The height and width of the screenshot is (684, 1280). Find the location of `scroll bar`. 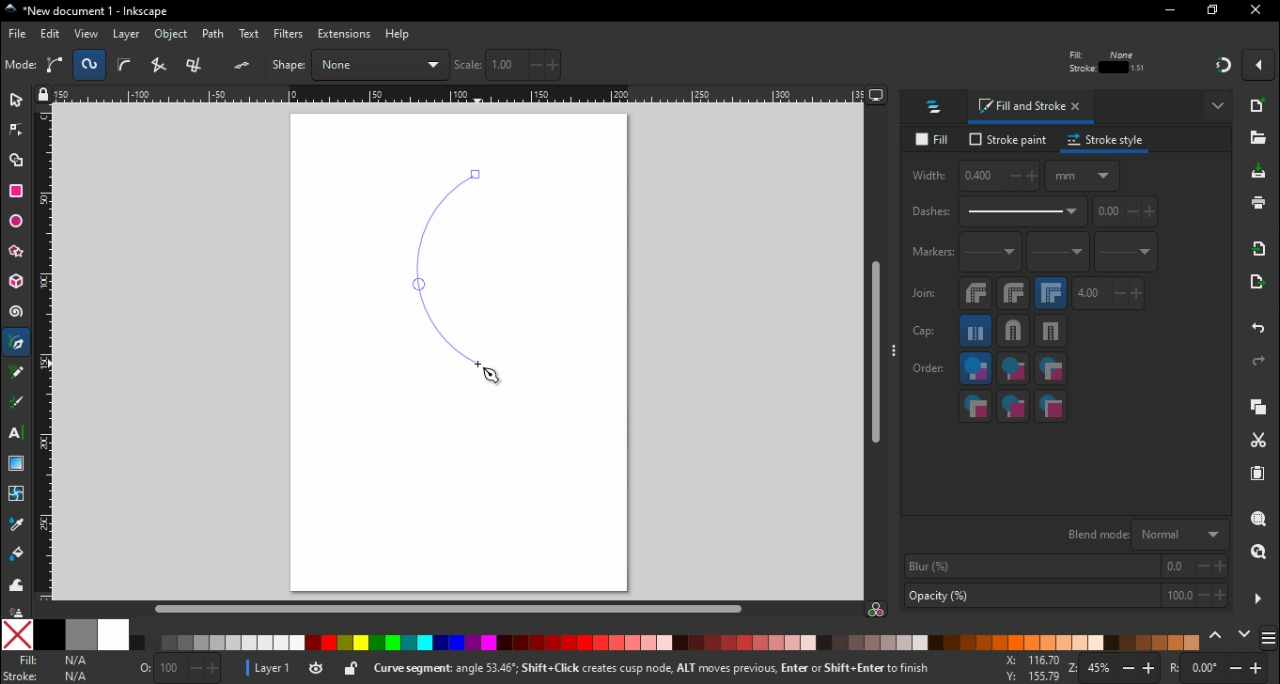

scroll bar is located at coordinates (448, 608).